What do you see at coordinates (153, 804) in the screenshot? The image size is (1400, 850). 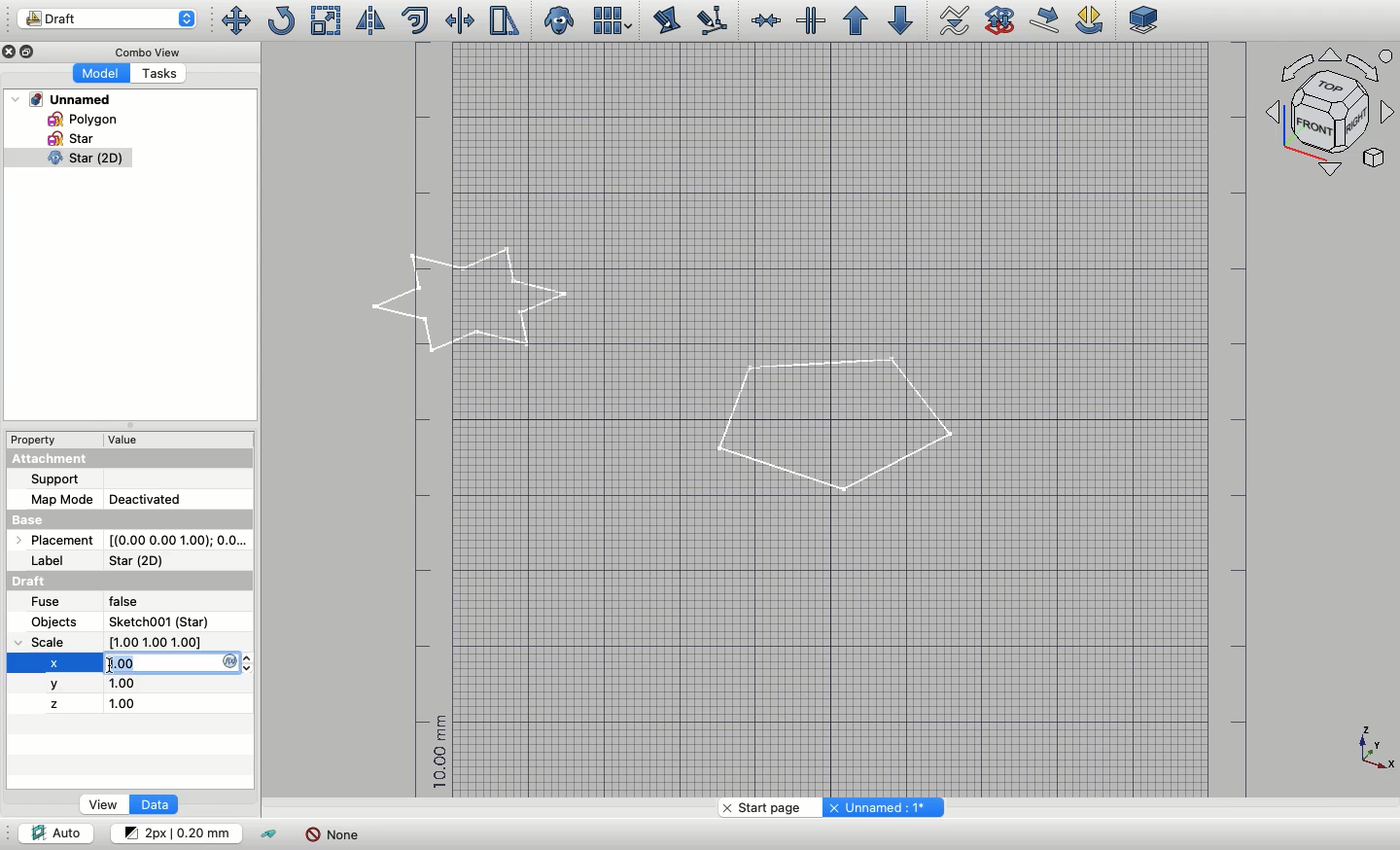 I see `Data` at bounding box center [153, 804].